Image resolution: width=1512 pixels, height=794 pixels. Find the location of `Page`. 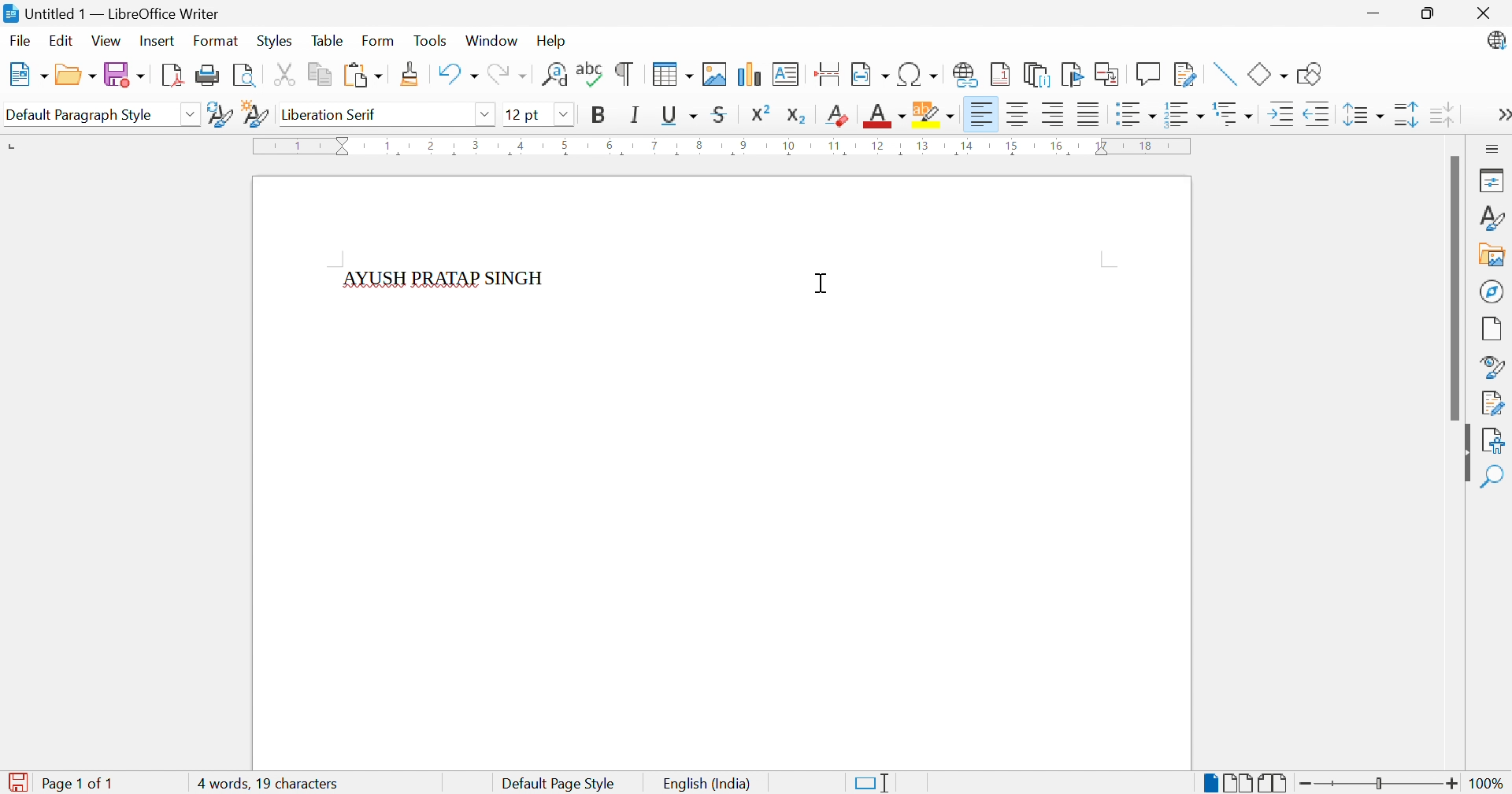

Page is located at coordinates (1492, 328).